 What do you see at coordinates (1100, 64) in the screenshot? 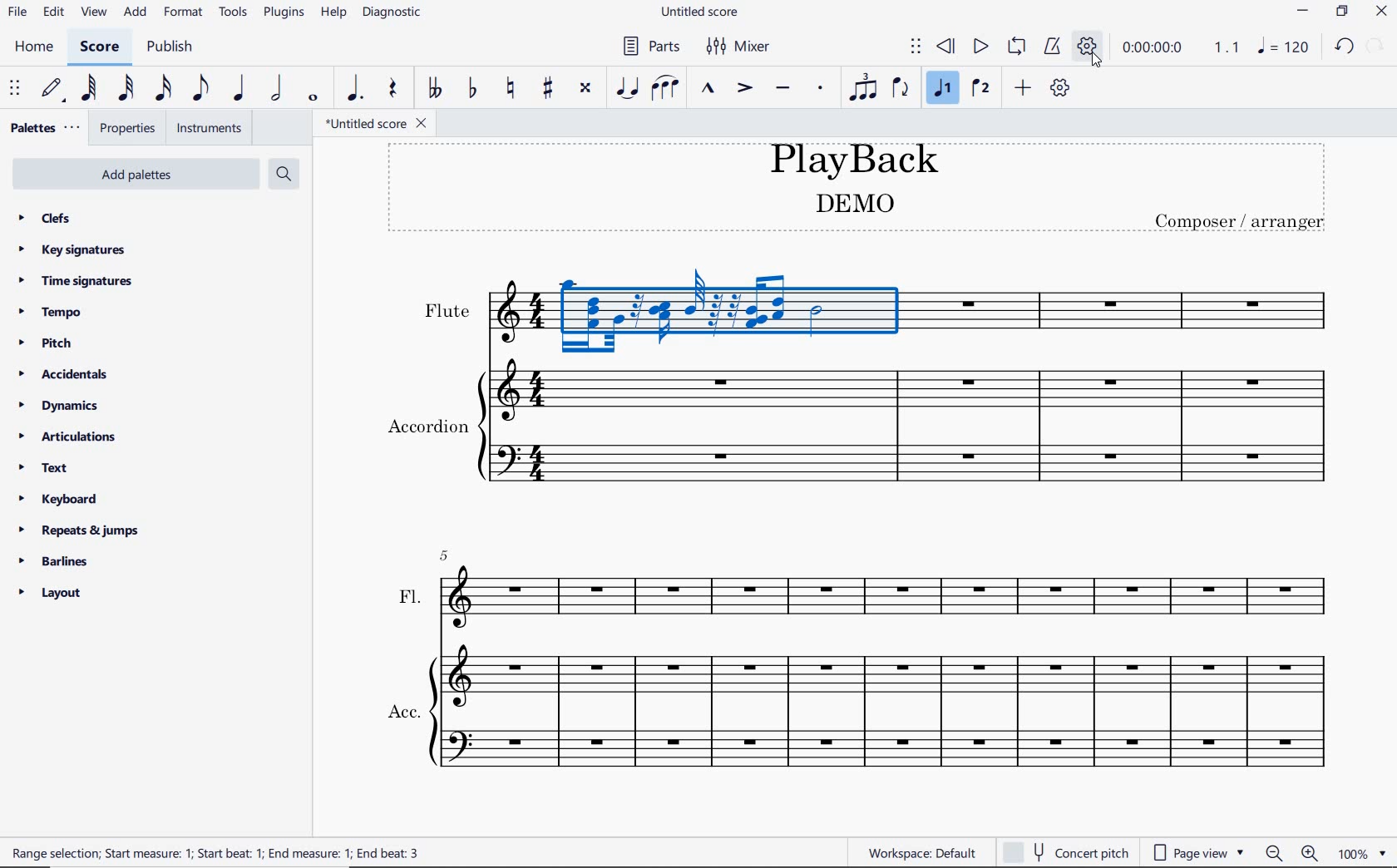
I see `cursor` at bounding box center [1100, 64].